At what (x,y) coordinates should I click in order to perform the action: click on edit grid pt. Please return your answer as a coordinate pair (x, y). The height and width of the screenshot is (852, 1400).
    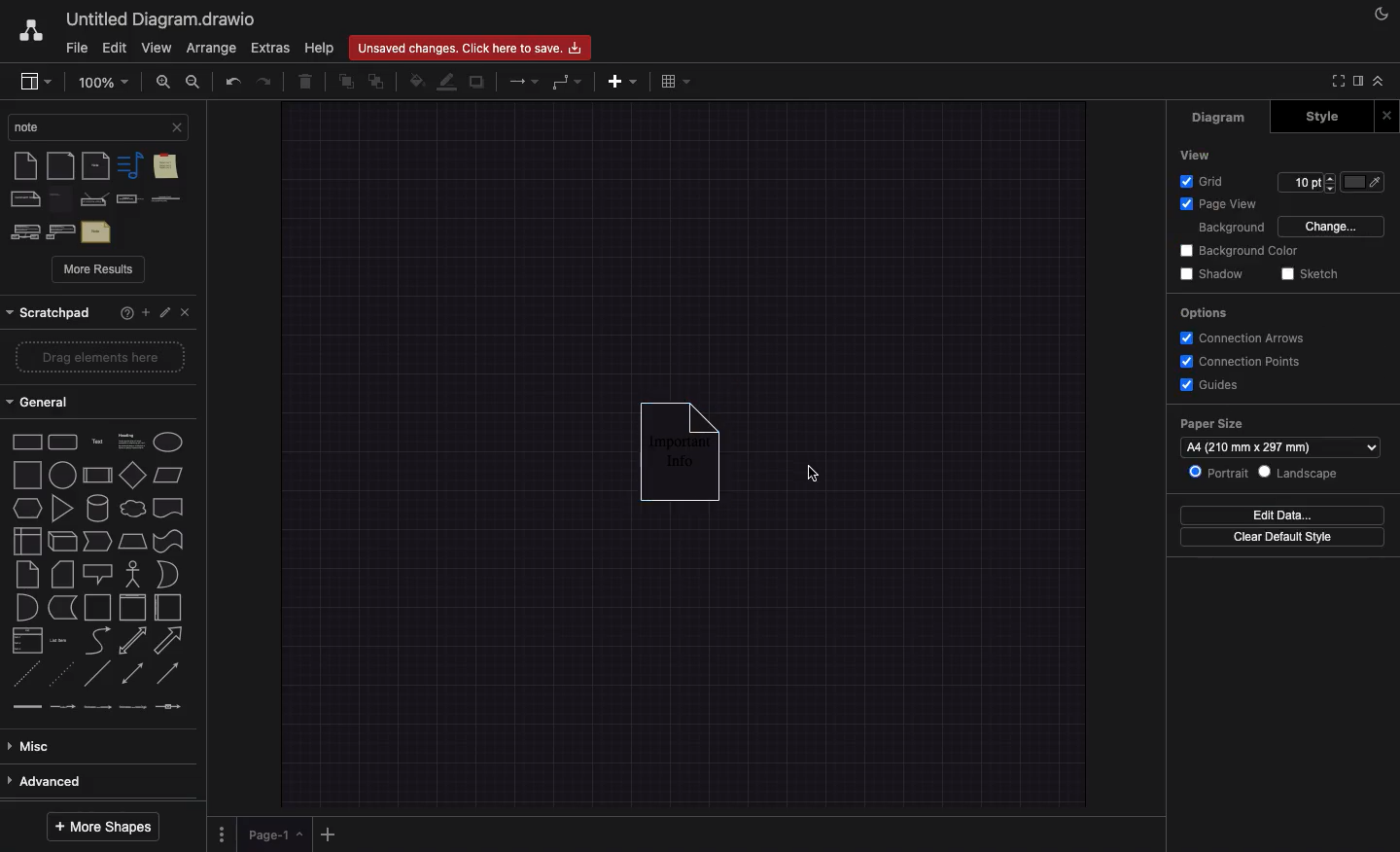
    Looking at the image, I should click on (1300, 183).